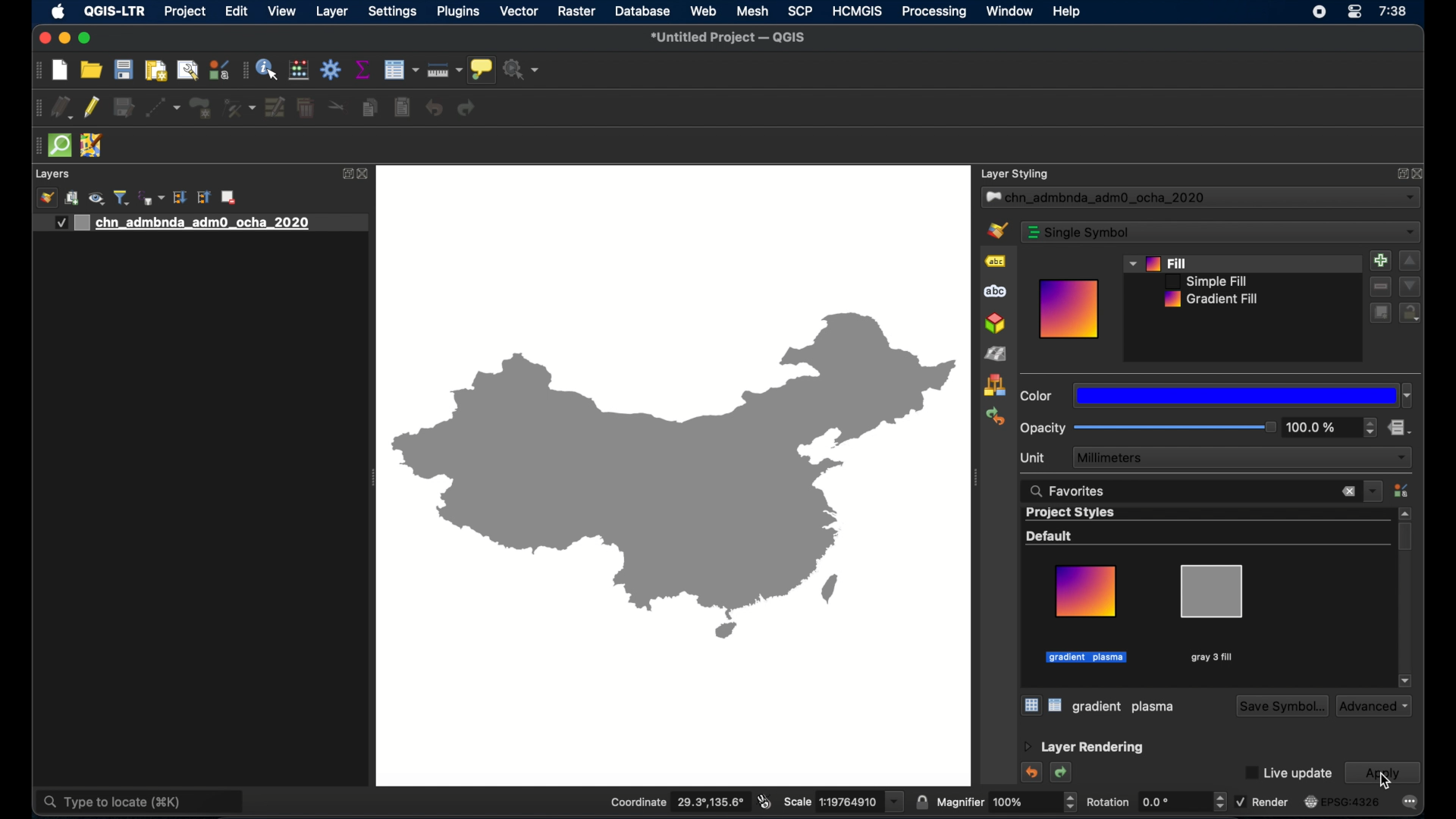 The image size is (1456, 819). What do you see at coordinates (200, 224) in the screenshot?
I see `layer 1` at bounding box center [200, 224].